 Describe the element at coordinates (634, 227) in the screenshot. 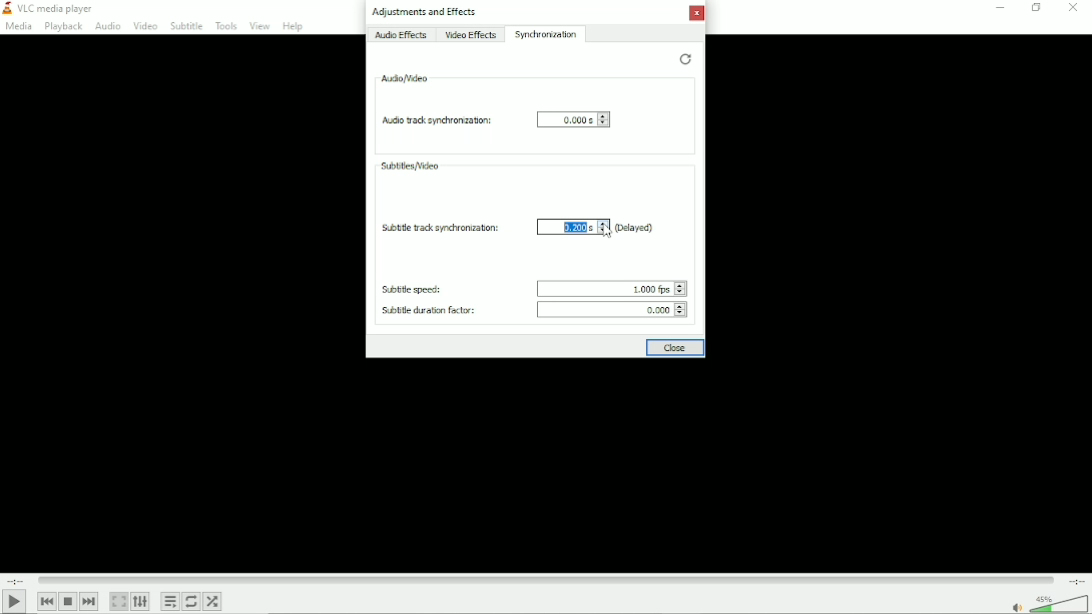

I see `(Delayed)` at that location.